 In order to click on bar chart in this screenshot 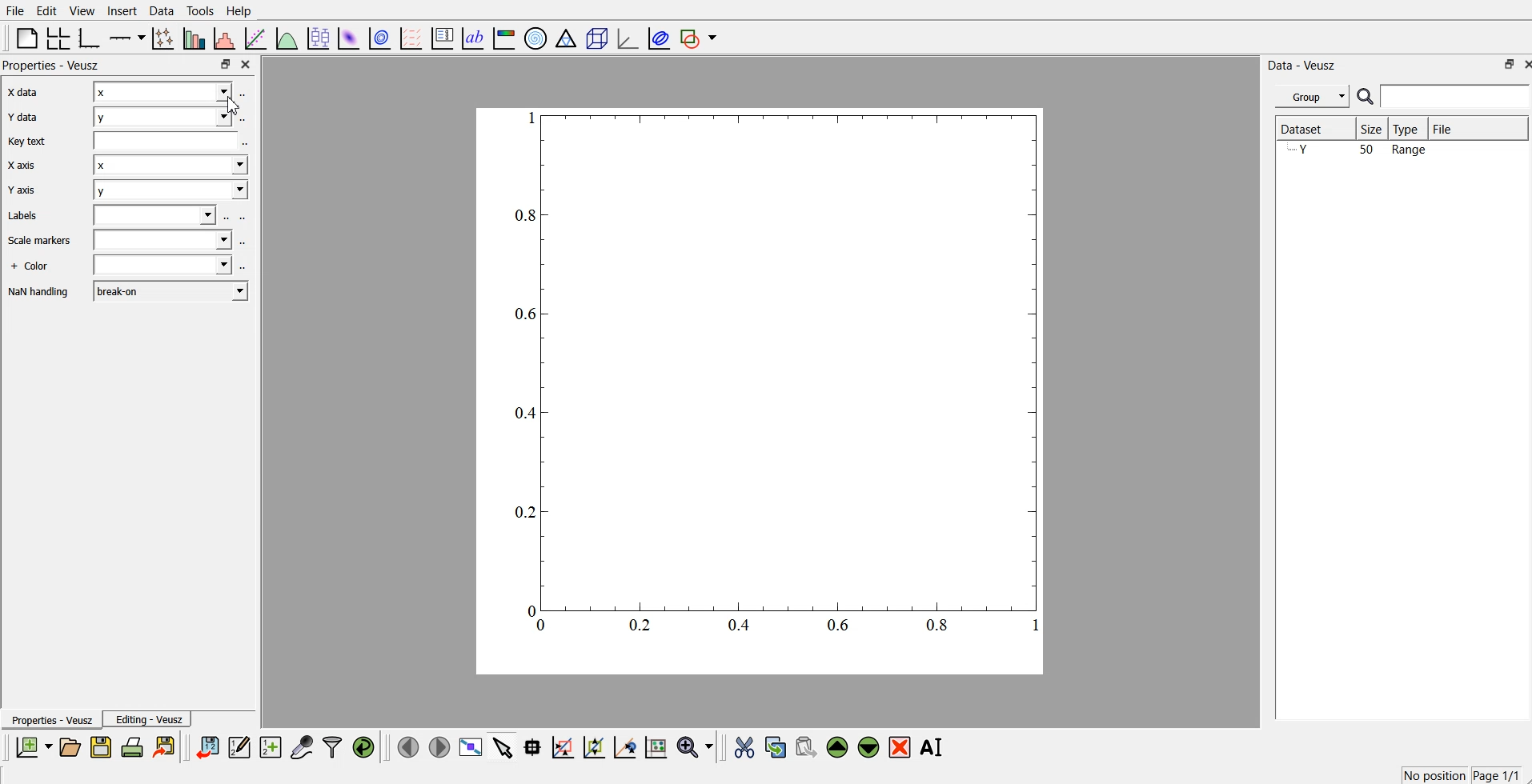, I will do `click(195, 37)`.